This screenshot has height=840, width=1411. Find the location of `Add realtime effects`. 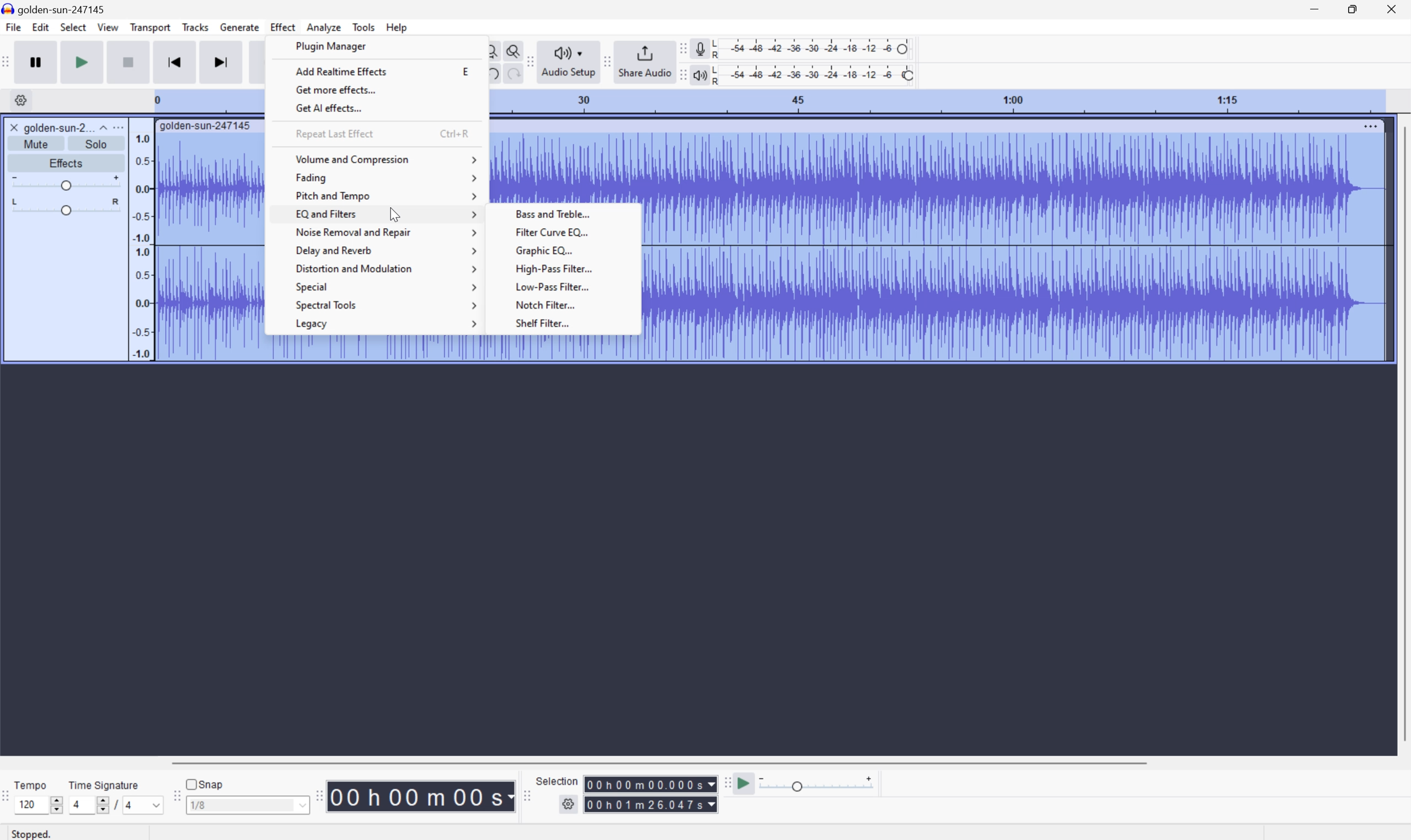

Add realtime effects is located at coordinates (341, 71).